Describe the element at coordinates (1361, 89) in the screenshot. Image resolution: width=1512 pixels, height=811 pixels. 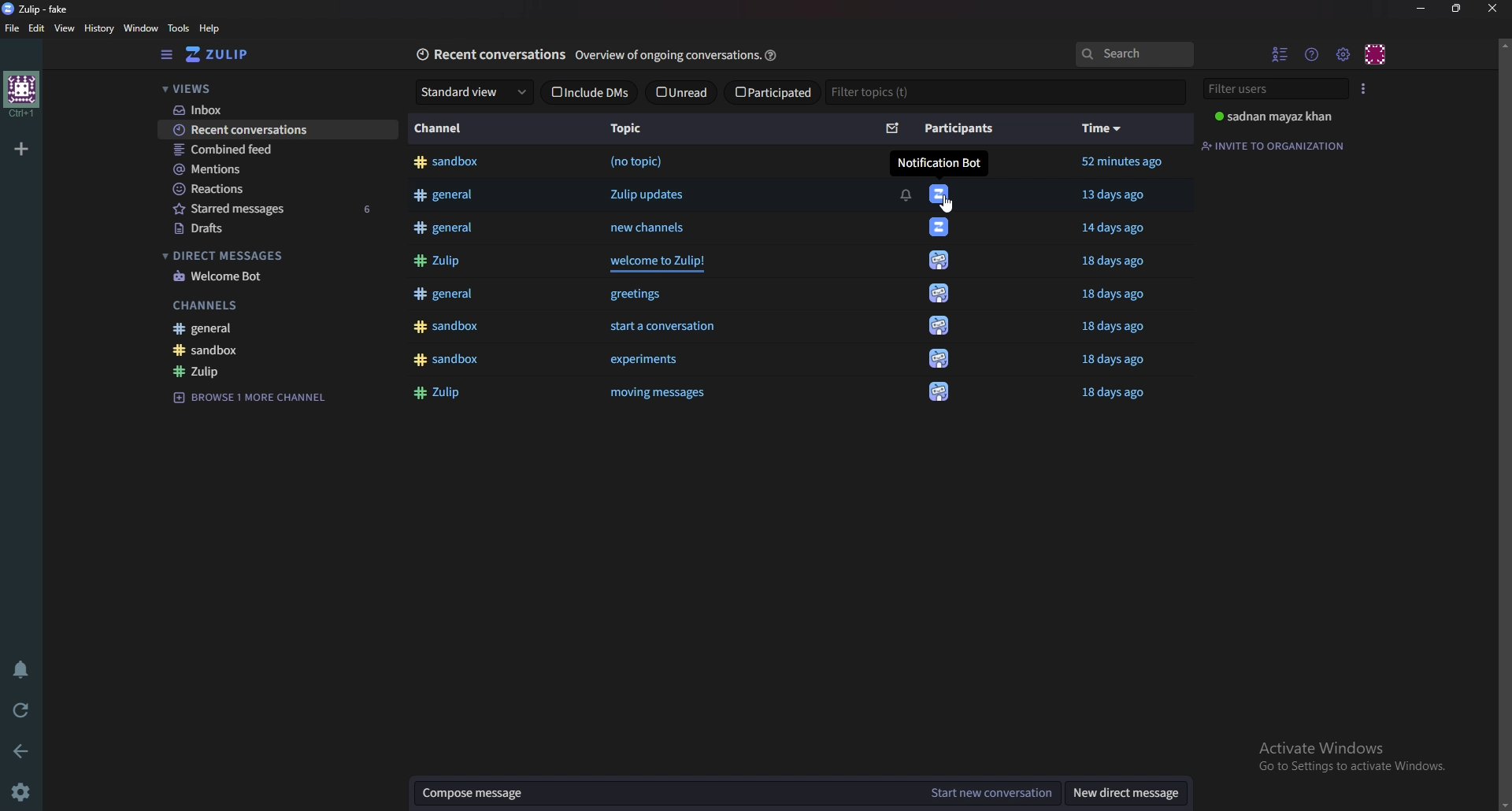
I see `User list style` at that location.